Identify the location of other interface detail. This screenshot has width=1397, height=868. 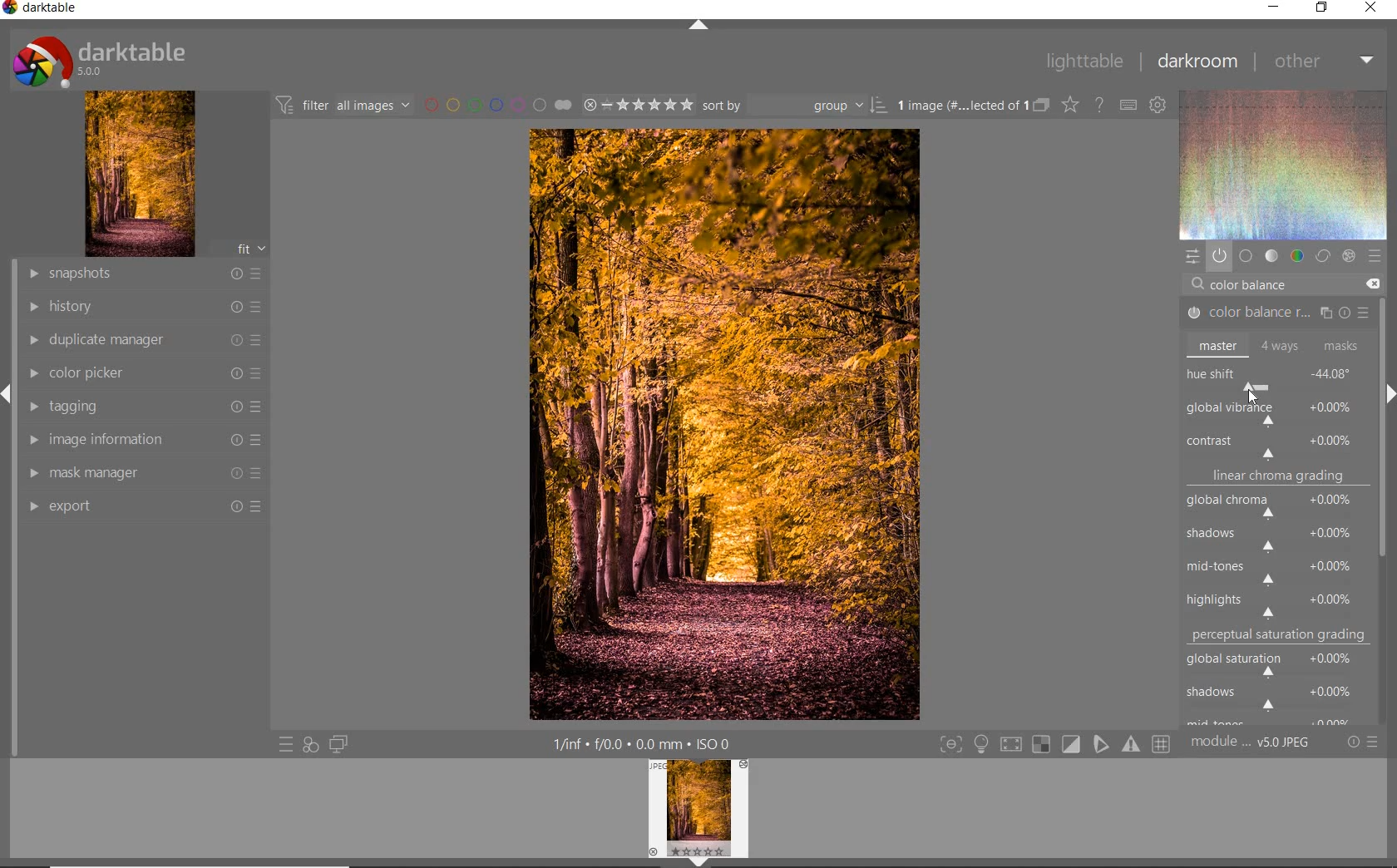
(644, 744).